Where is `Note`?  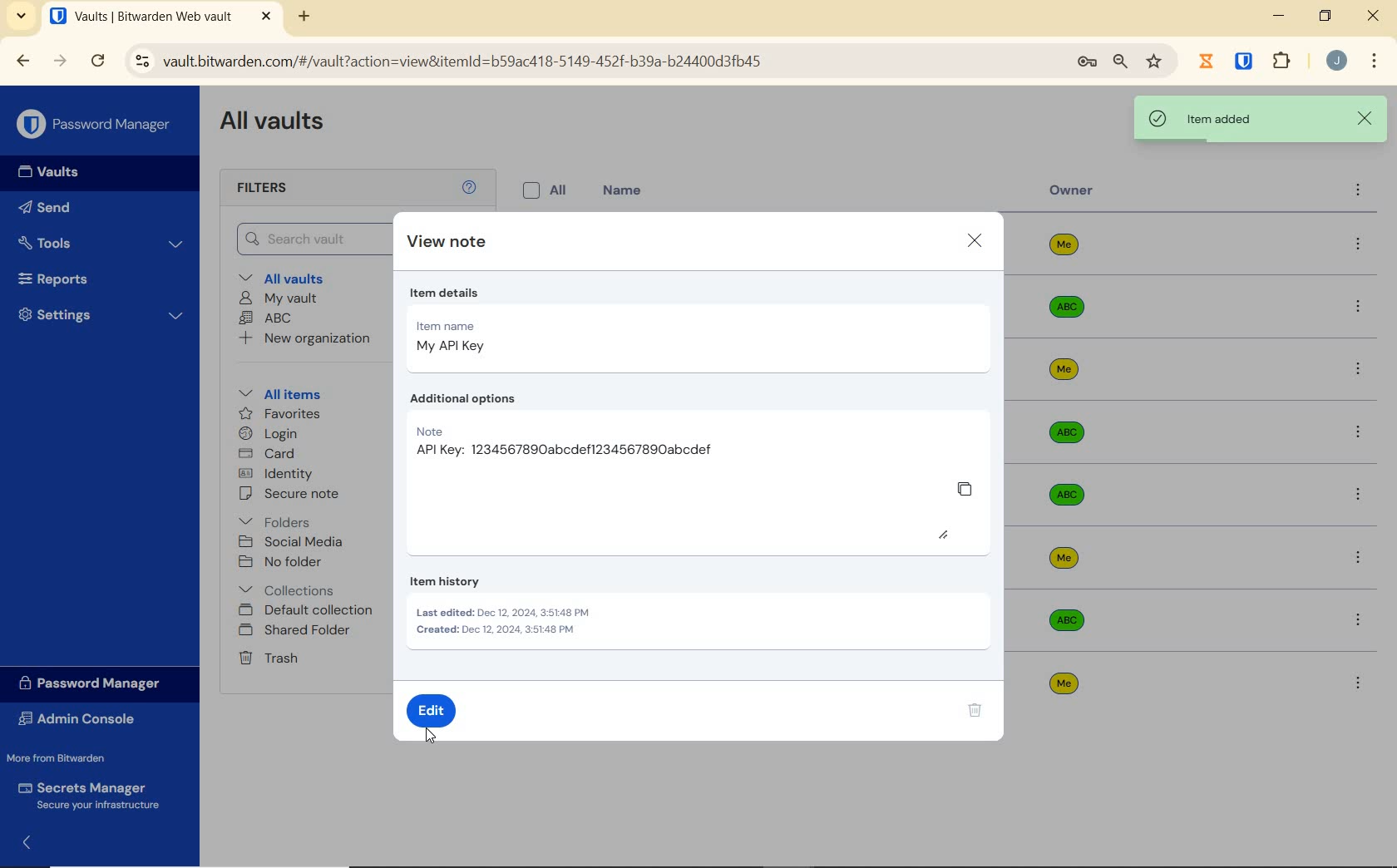
Note is located at coordinates (566, 441).